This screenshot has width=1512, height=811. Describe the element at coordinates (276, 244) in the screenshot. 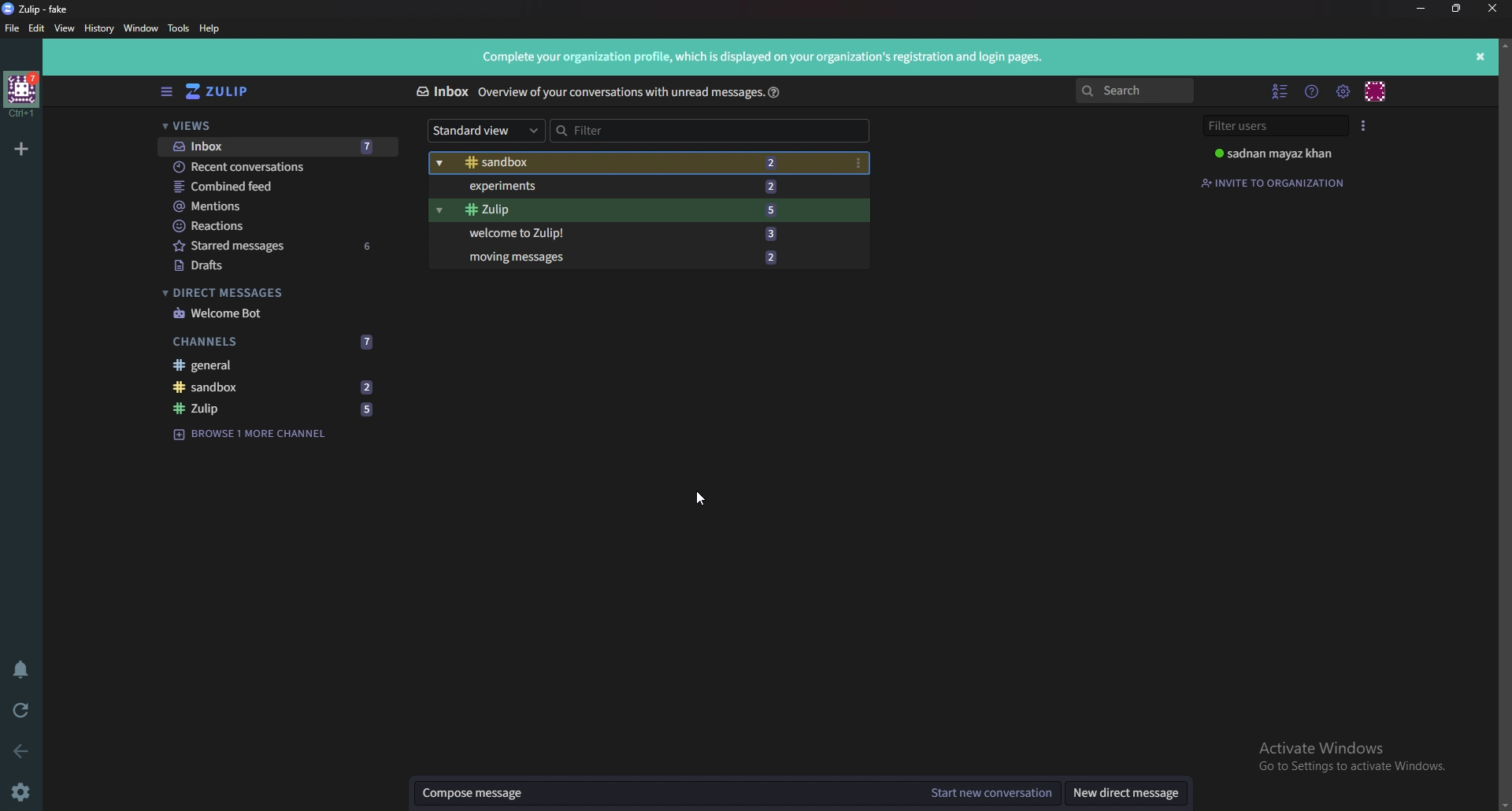

I see `starred Messages` at that location.